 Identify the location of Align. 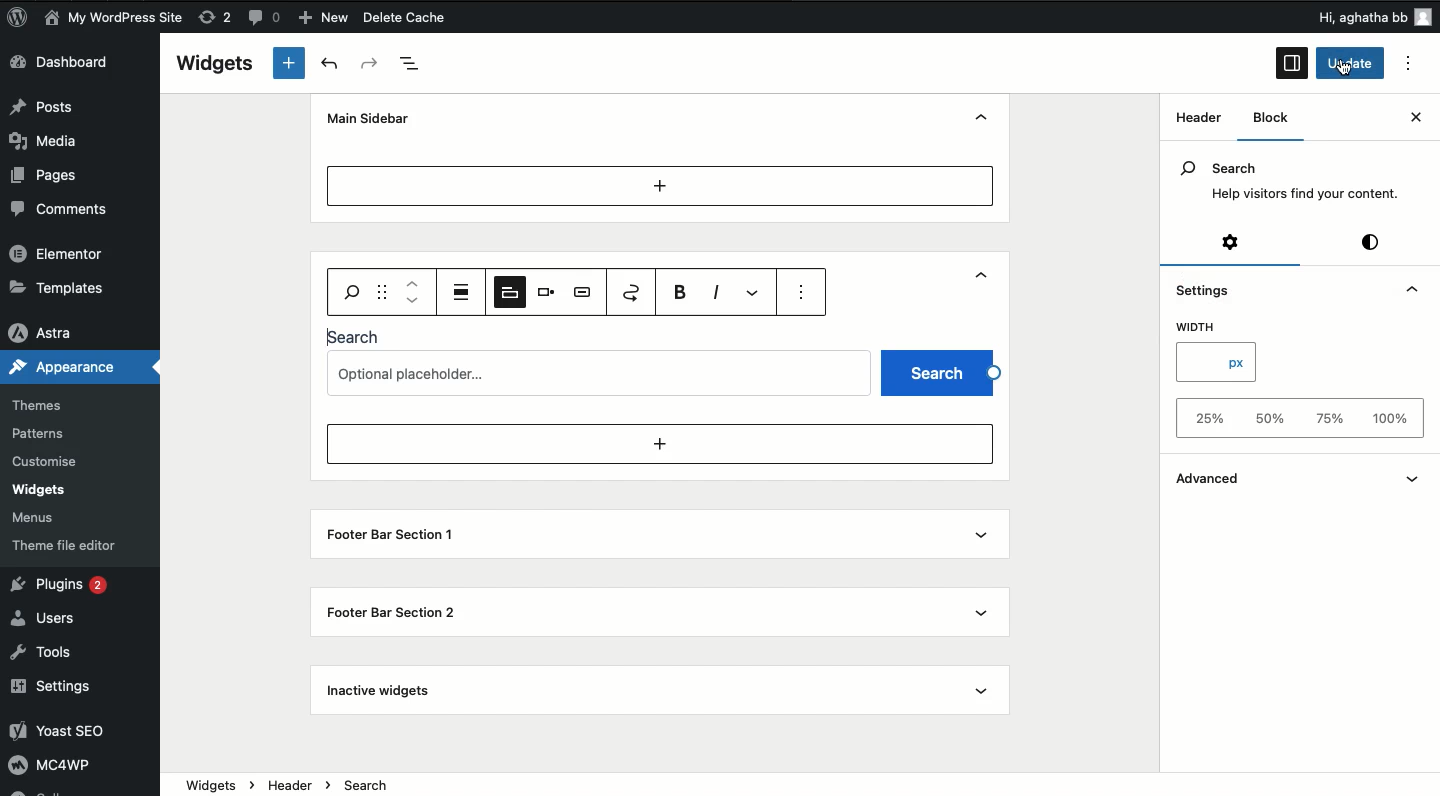
(463, 291).